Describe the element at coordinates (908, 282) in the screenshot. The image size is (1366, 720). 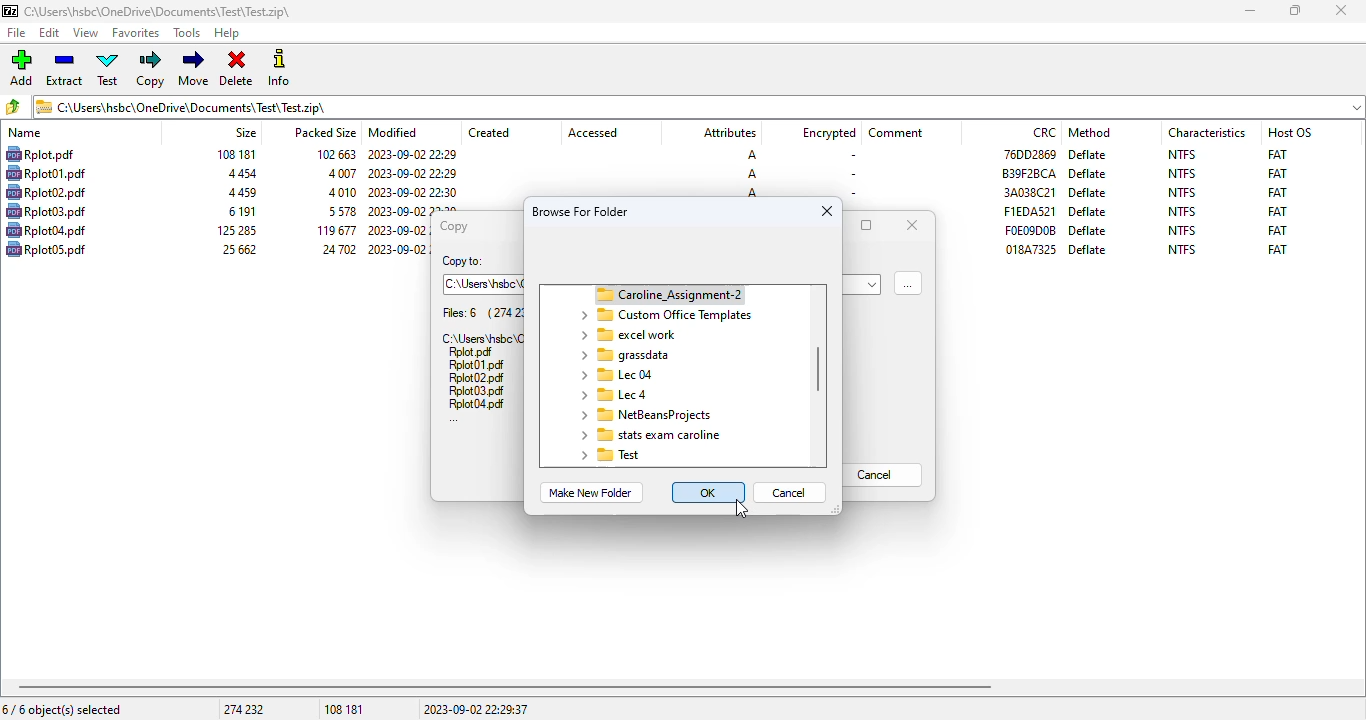
I see `browse for folder` at that location.